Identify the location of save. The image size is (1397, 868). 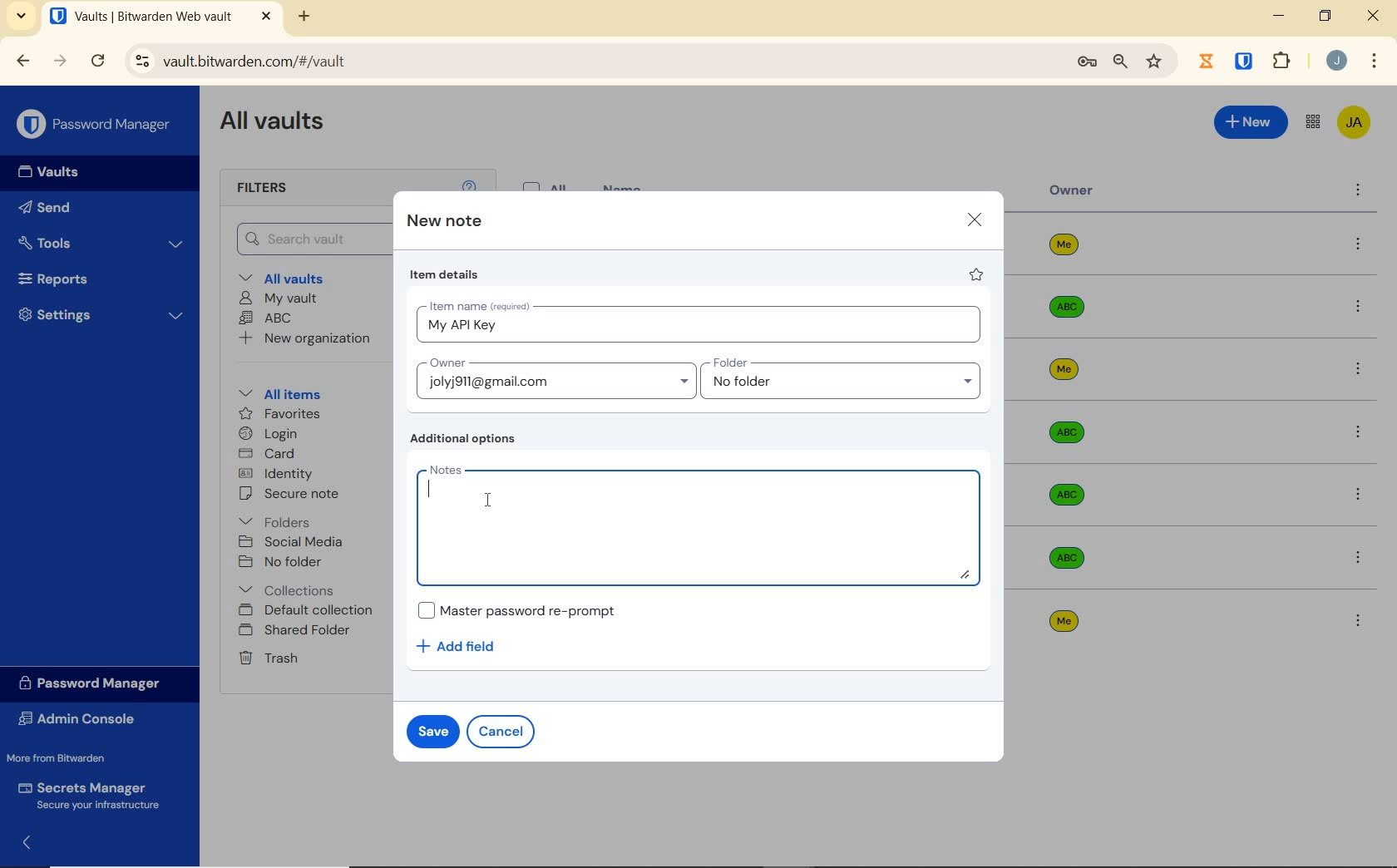
(433, 730).